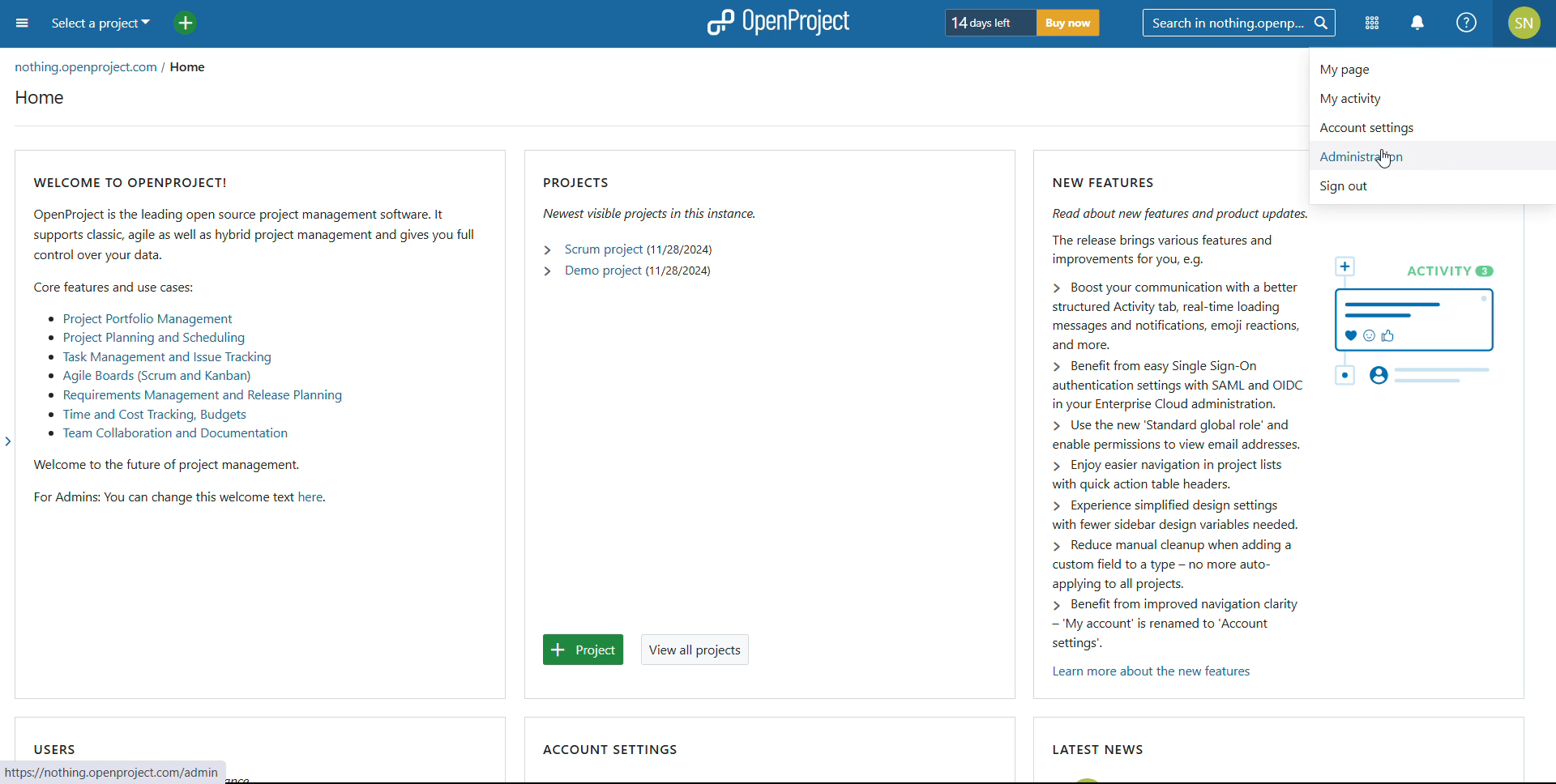 Image resolution: width=1556 pixels, height=784 pixels. What do you see at coordinates (1436, 187) in the screenshot?
I see `sign out` at bounding box center [1436, 187].